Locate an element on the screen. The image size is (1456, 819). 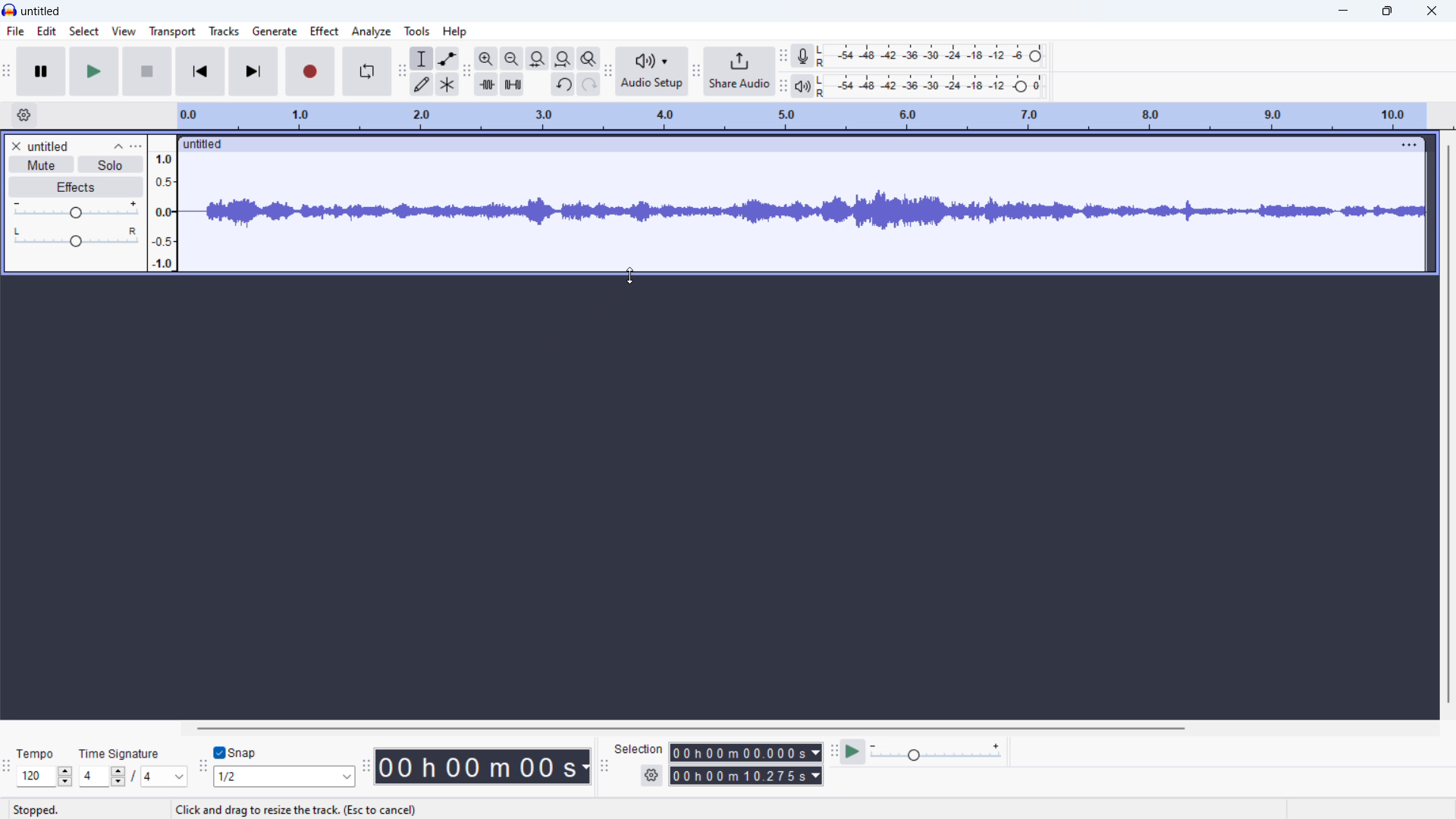
tools toolbar is located at coordinates (401, 73).